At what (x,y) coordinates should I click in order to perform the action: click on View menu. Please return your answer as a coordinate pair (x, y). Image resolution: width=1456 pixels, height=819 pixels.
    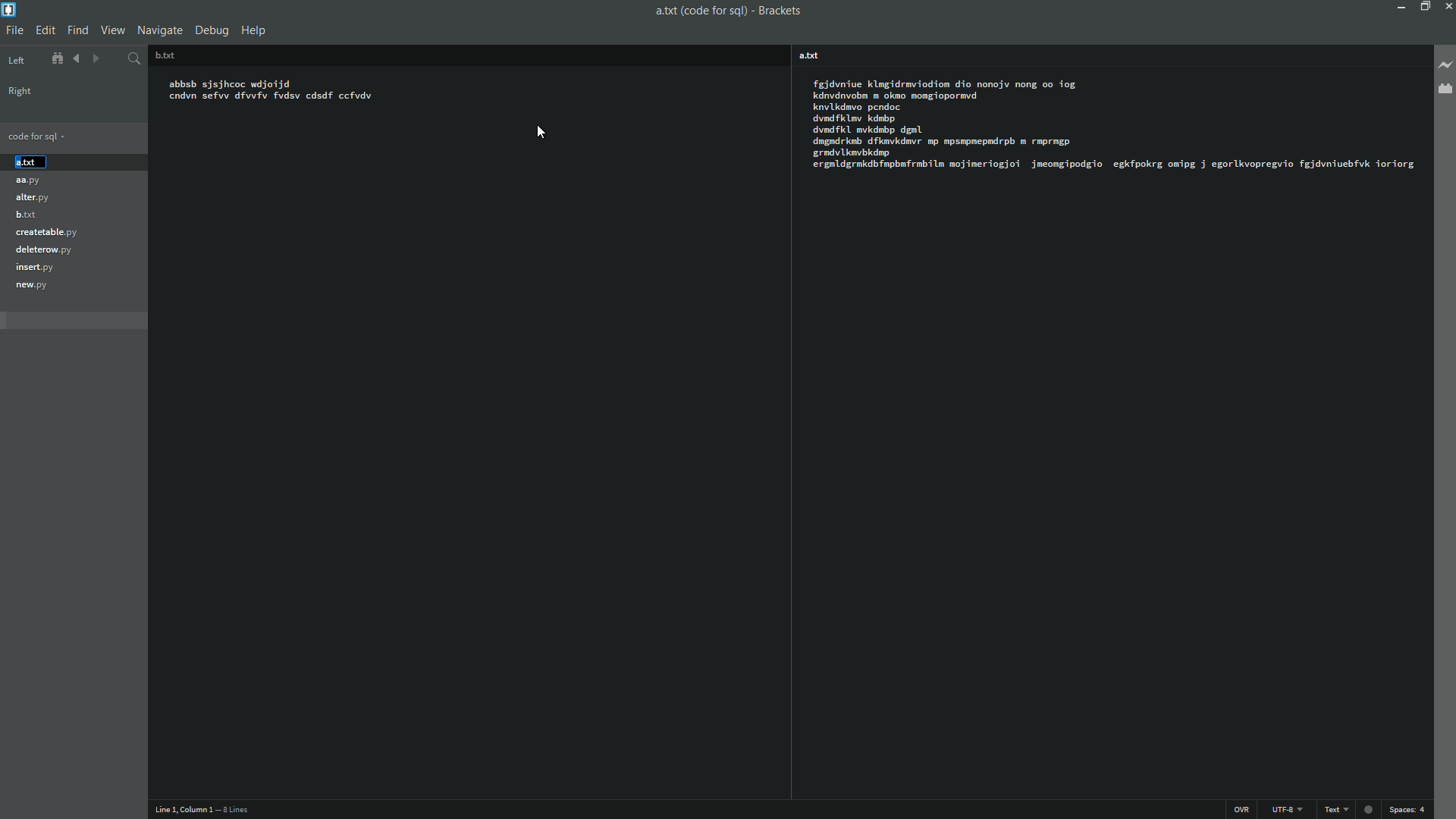
    Looking at the image, I should click on (113, 30).